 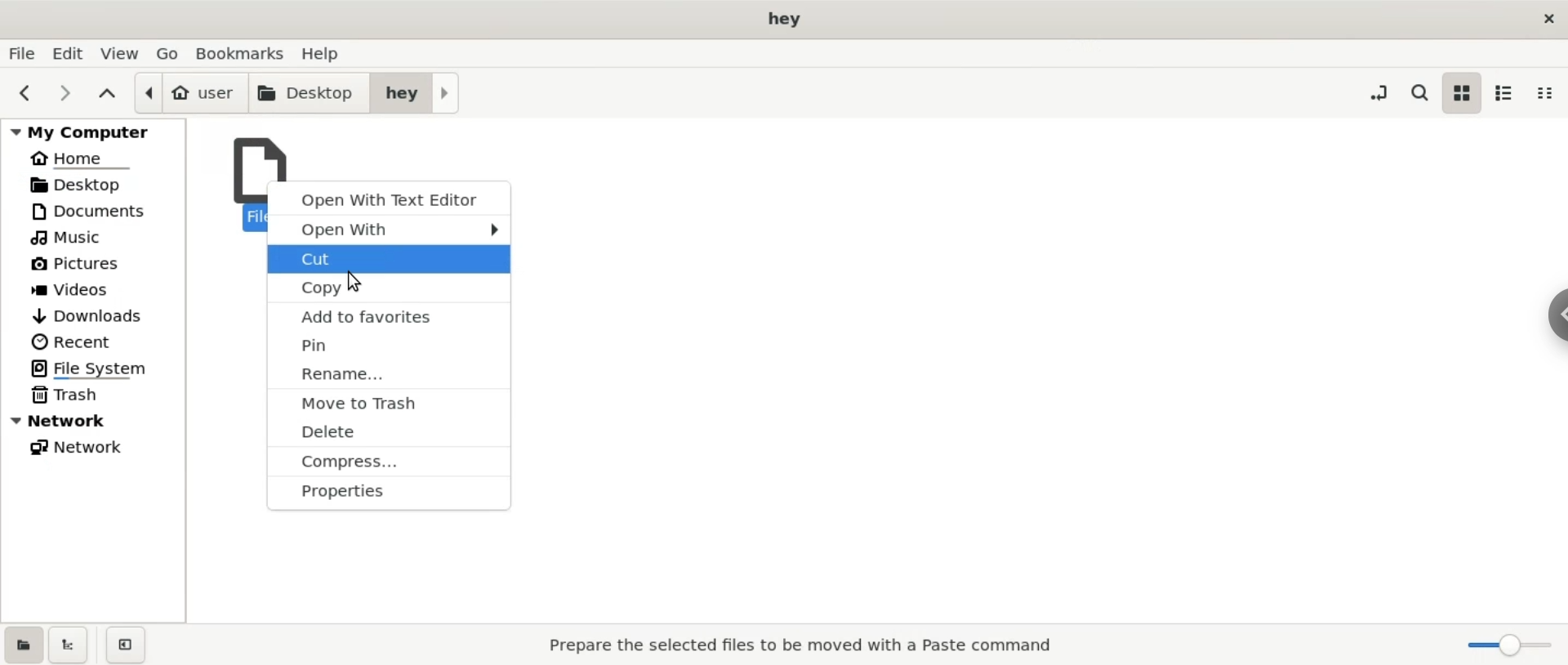 I want to click on sidebar, so click(x=1548, y=315).